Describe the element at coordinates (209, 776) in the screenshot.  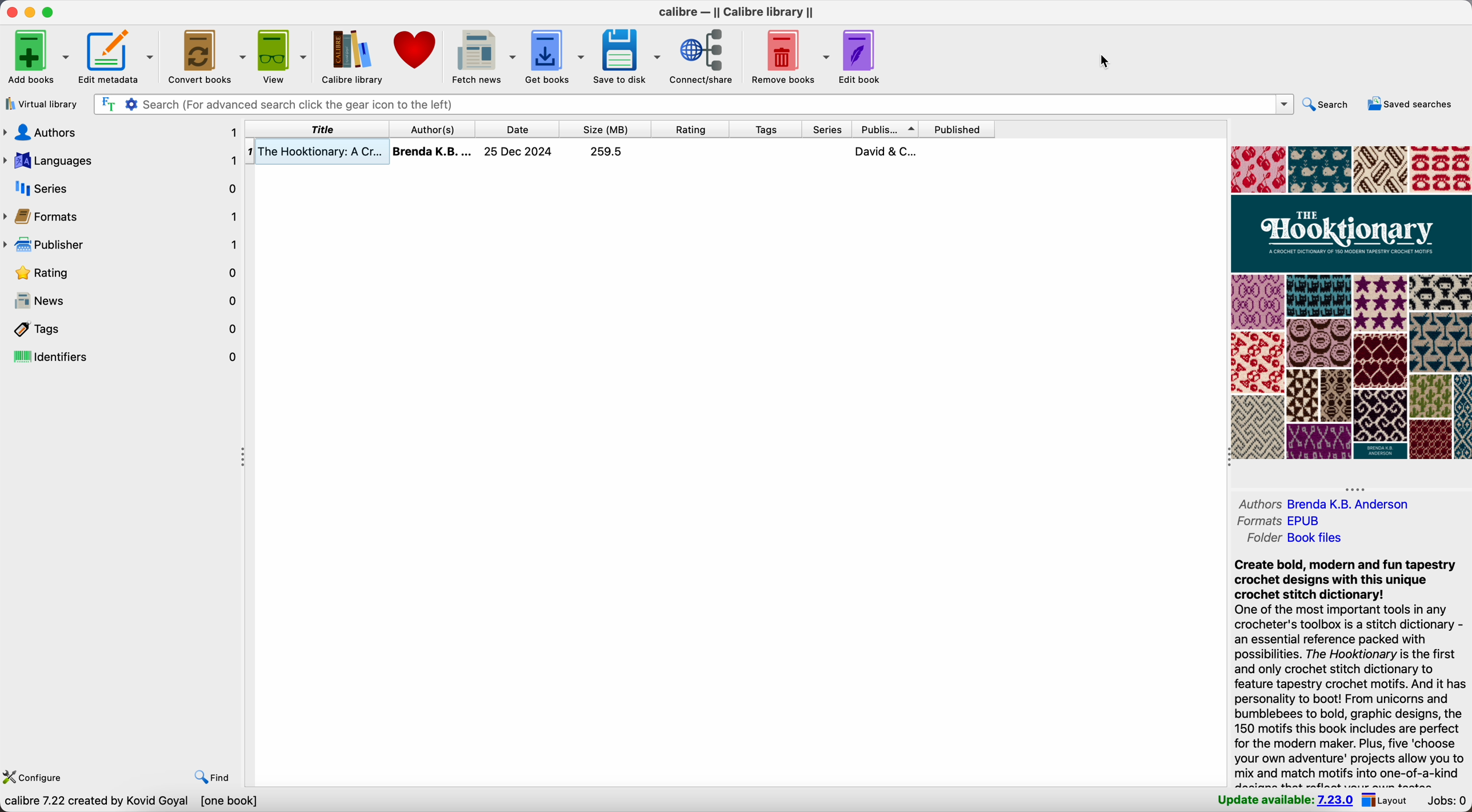
I see `find` at that location.